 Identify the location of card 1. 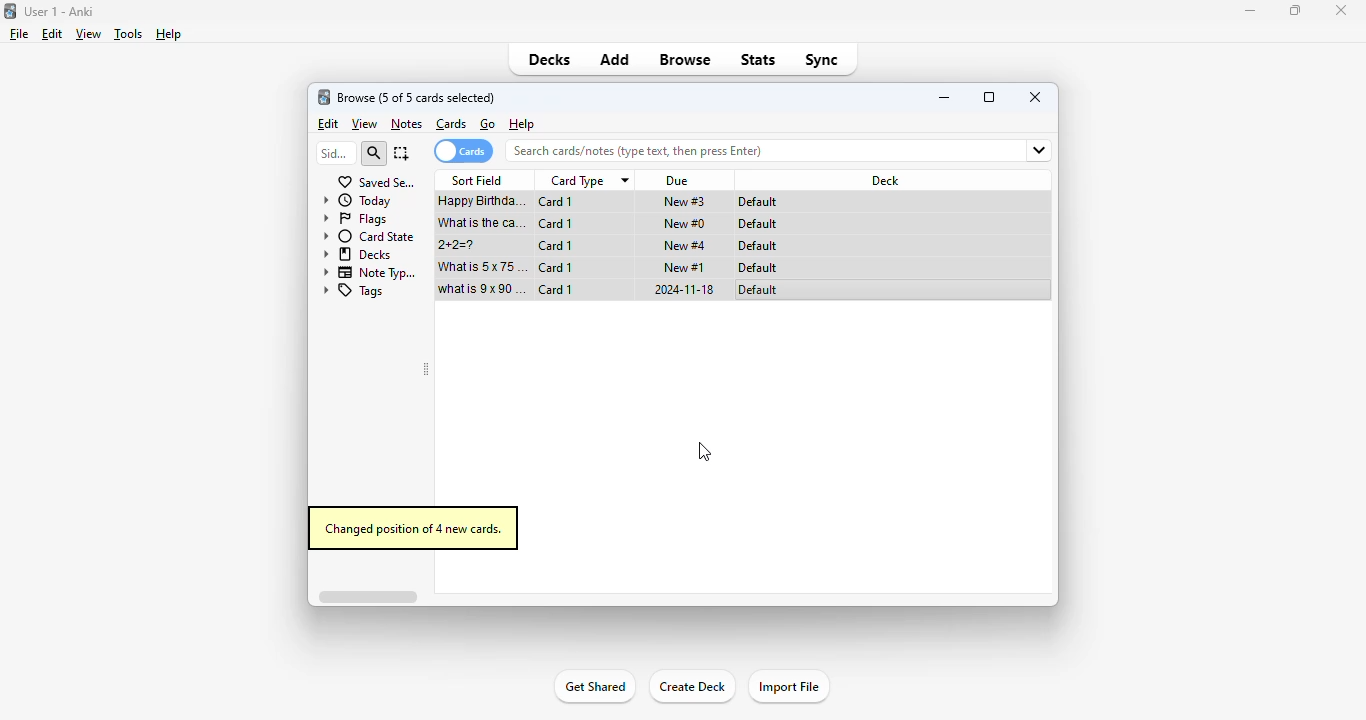
(555, 267).